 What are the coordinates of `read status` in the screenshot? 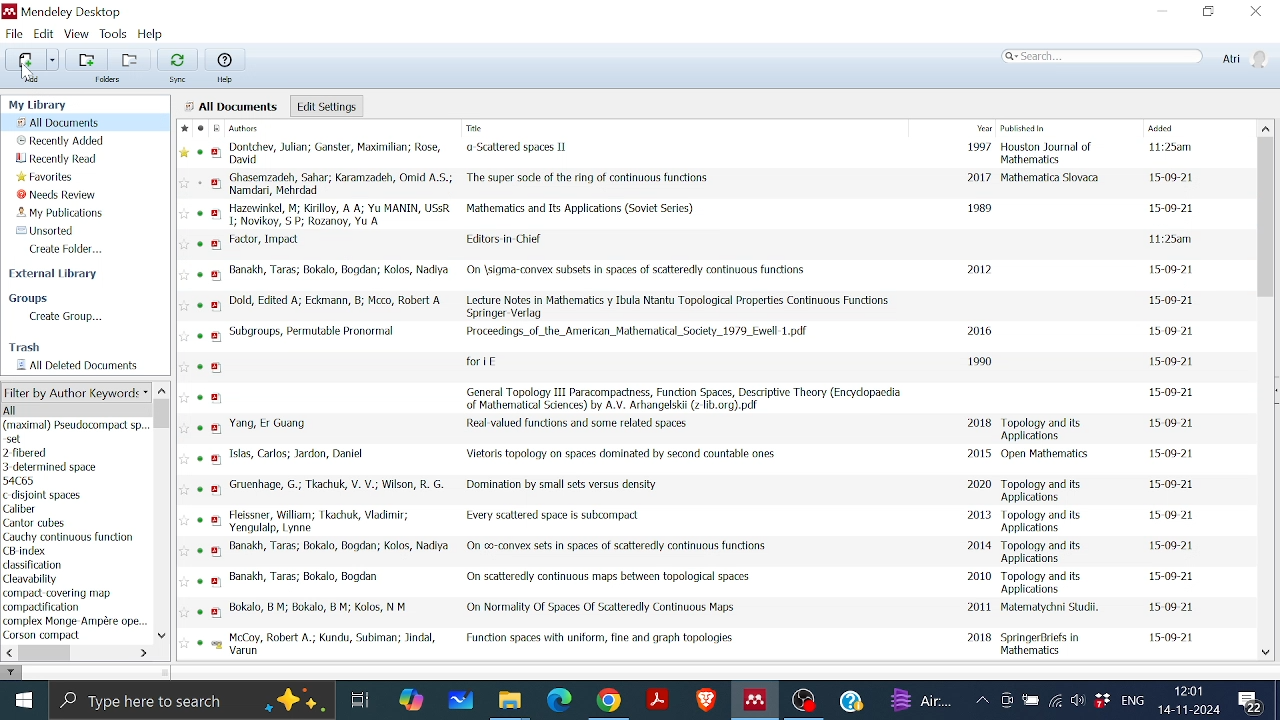 It's located at (204, 612).